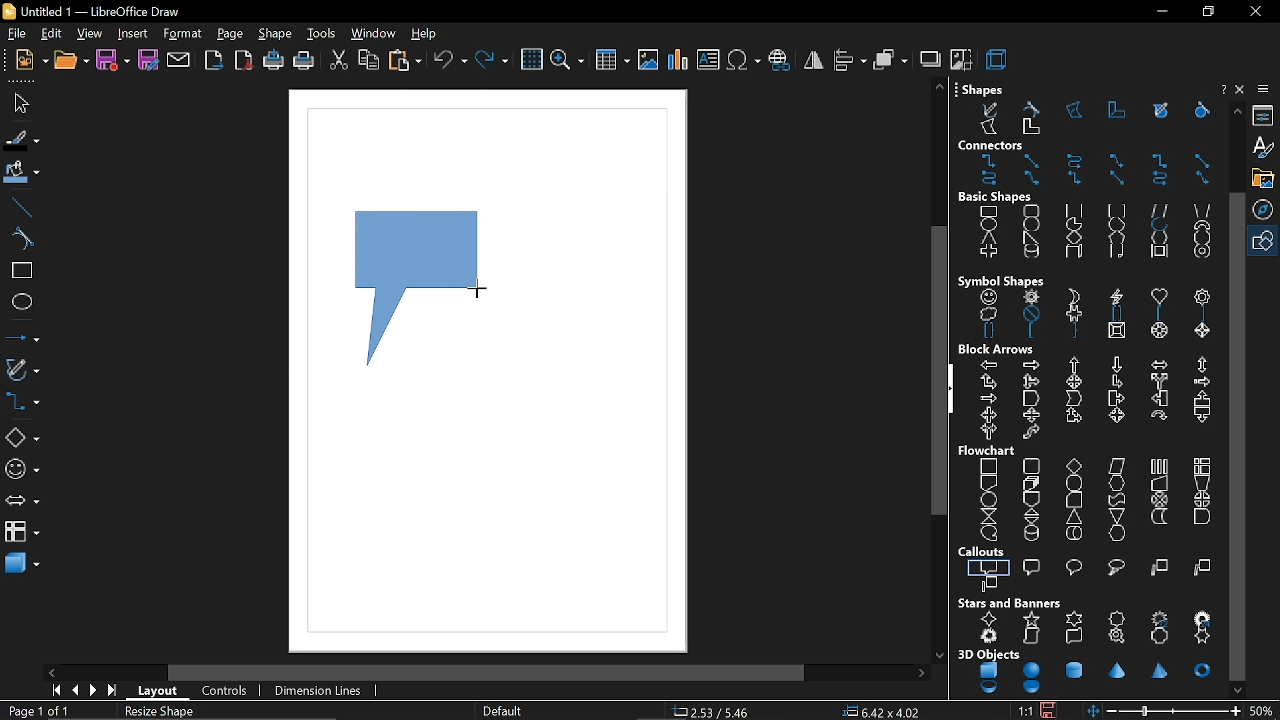 The image size is (1280, 720). I want to click on smiley face, so click(989, 298).